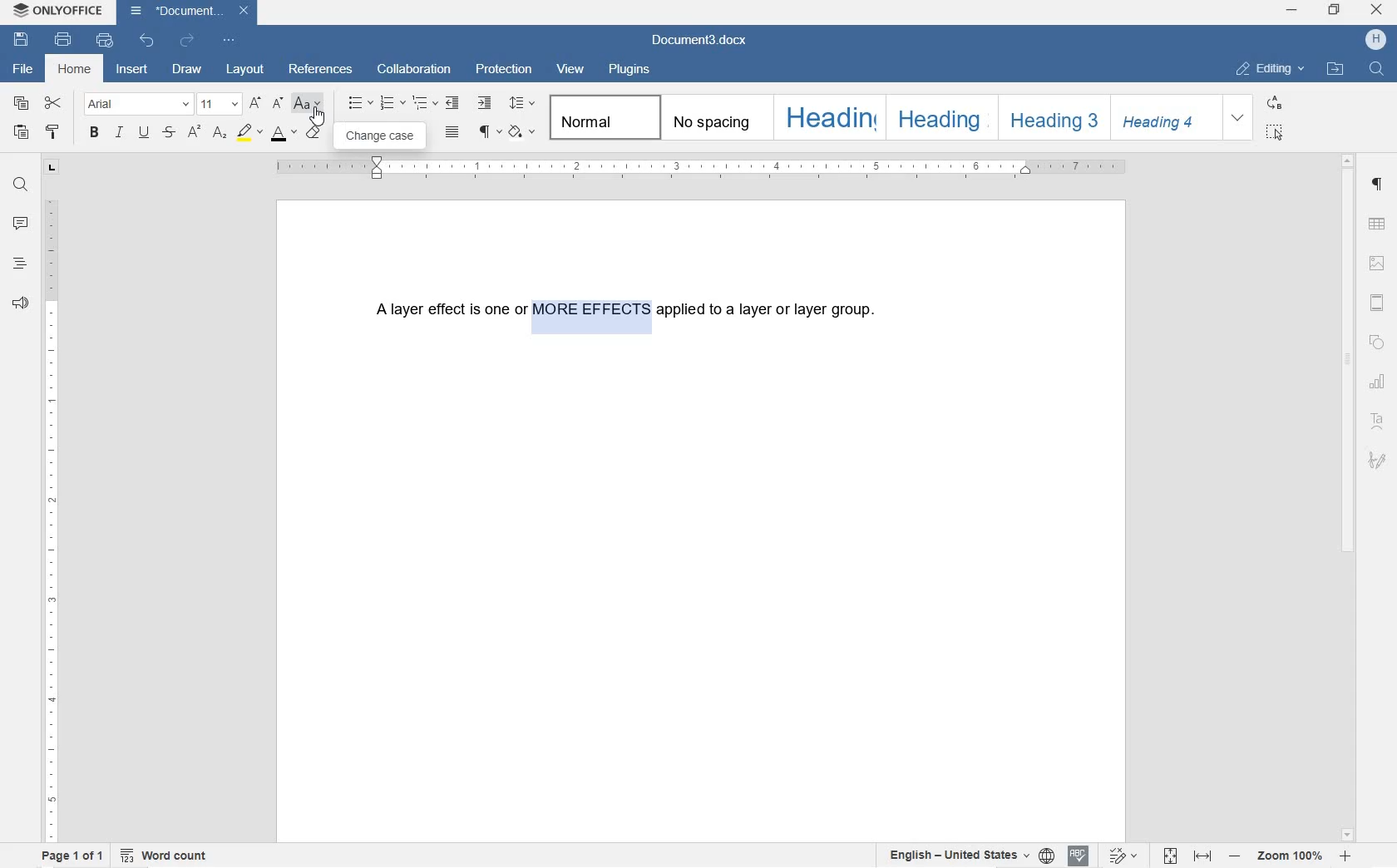  Describe the element at coordinates (19, 304) in the screenshot. I see `FEEDBACK & SUPPORT` at that location.